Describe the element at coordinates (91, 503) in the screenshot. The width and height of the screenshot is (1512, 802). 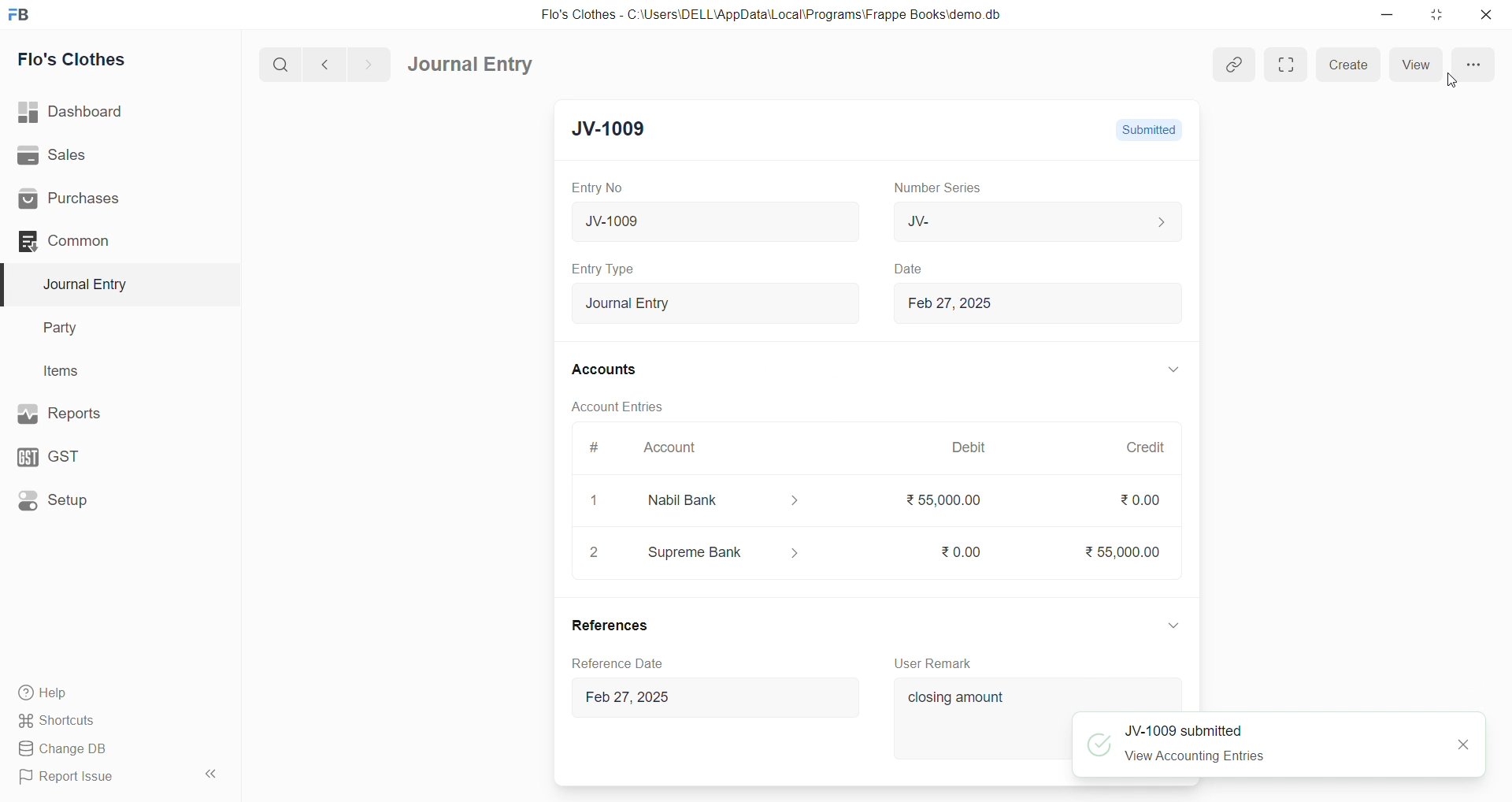
I see `Setup` at that location.